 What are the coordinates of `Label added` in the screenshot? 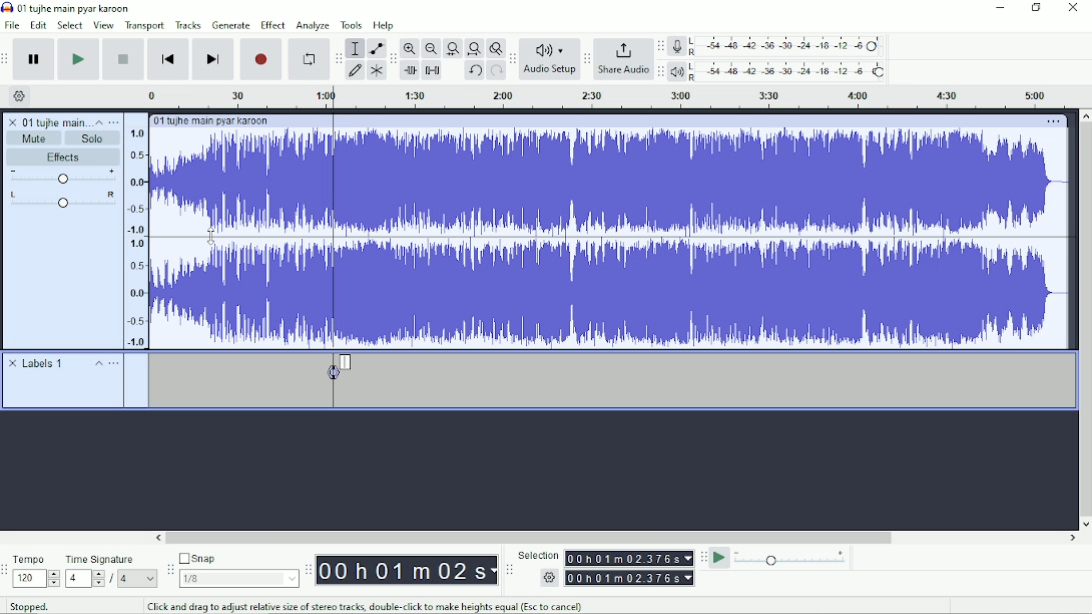 It's located at (338, 381).